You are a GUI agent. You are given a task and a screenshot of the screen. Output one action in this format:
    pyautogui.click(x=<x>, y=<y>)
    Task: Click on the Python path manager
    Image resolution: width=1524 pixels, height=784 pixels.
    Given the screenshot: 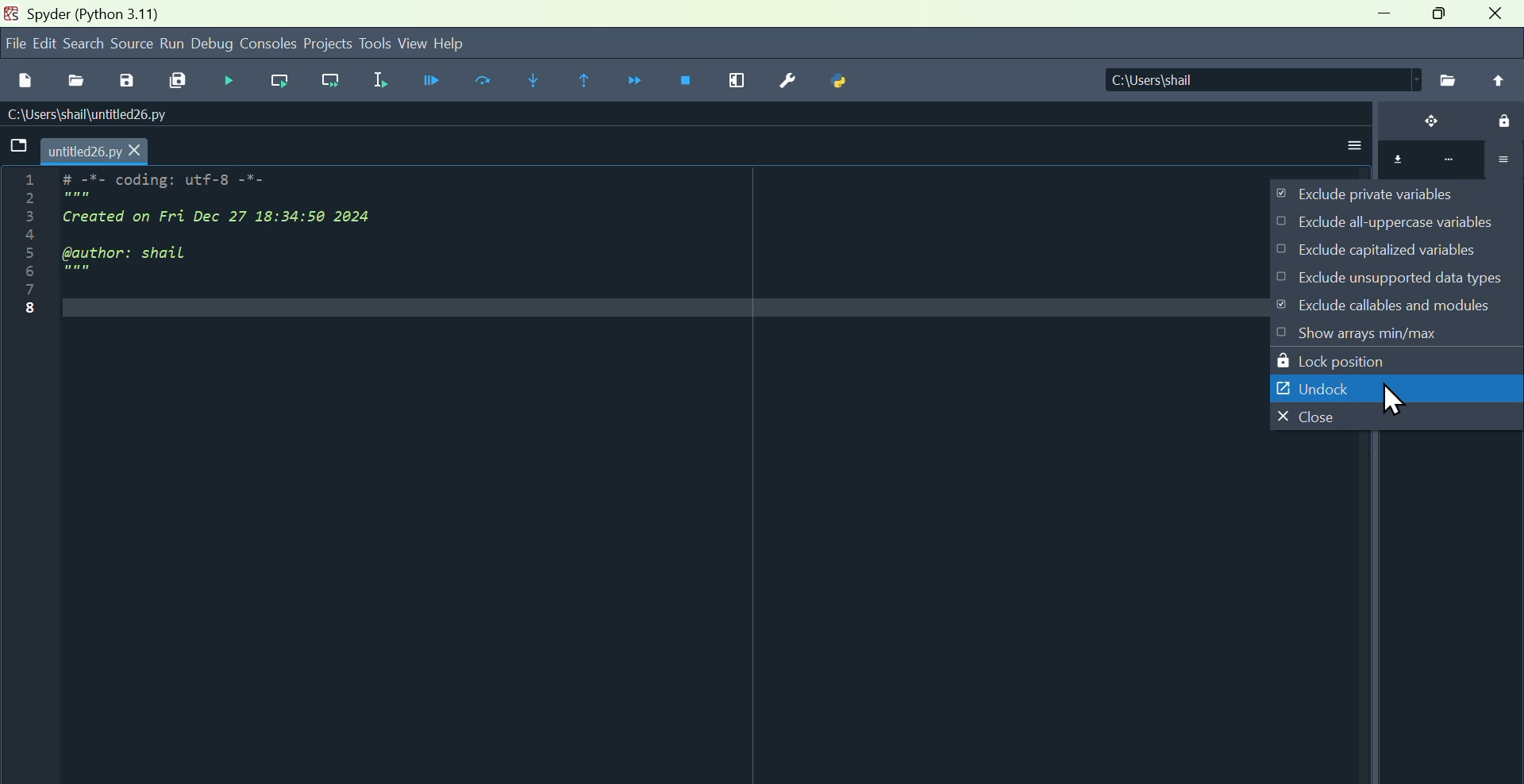 What is the action you would take?
    pyautogui.click(x=844, y=83)
    